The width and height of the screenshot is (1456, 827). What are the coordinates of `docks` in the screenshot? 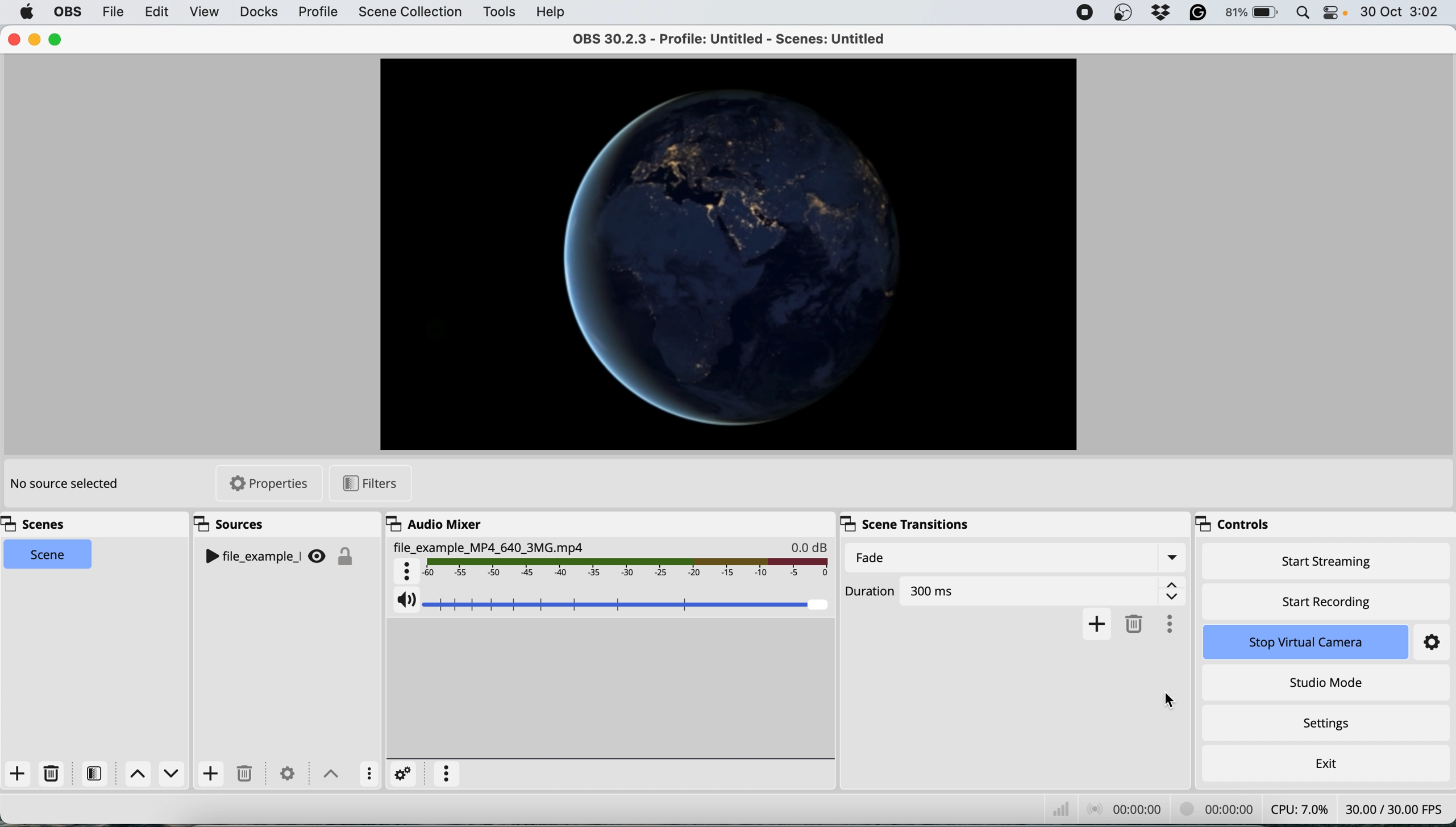 It's located at (257, 14).